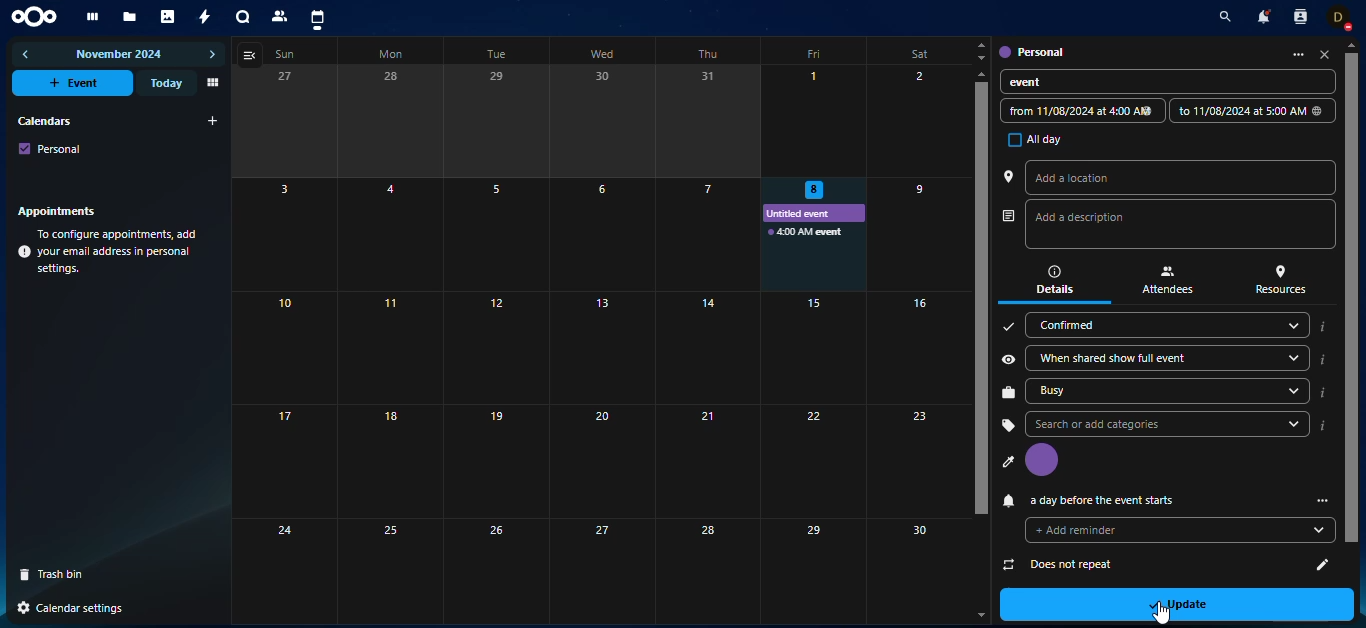  I want to click on drop down, so click(1289, 391).